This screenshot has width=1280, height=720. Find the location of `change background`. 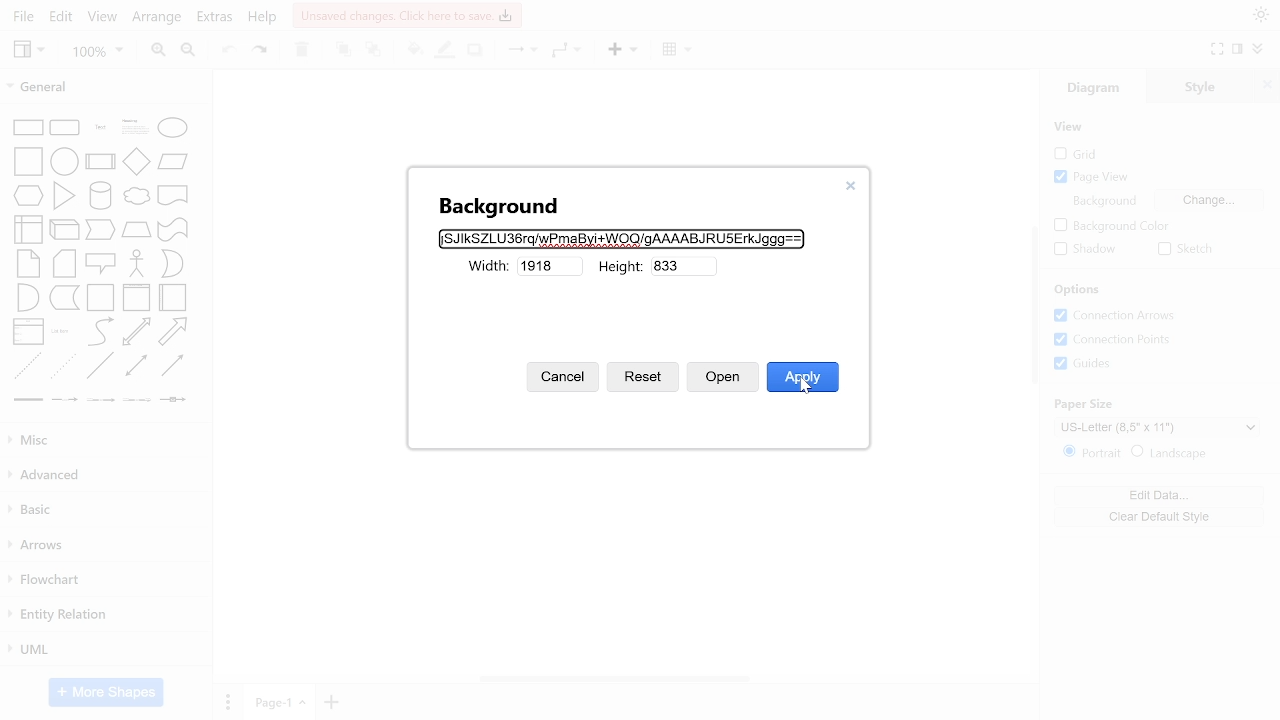

change background is located at coordinates (1209, 200).